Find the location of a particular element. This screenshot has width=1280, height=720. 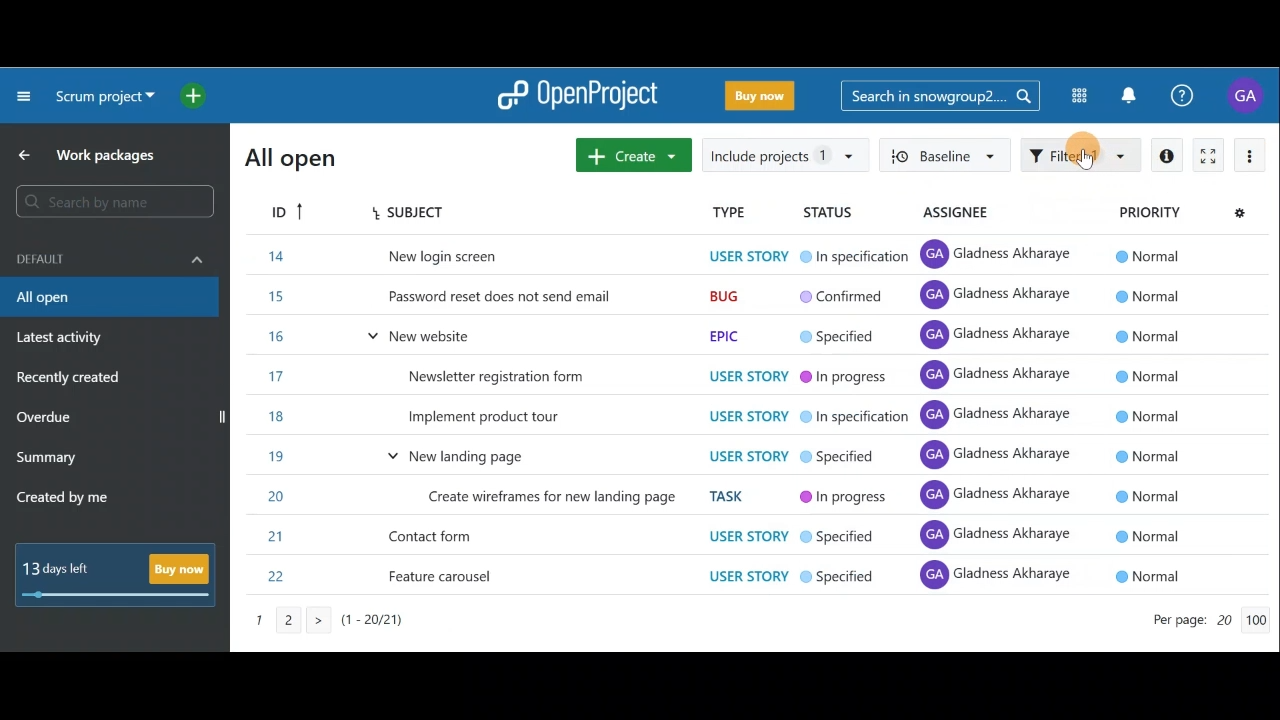

Baseline is located at coordinates (942, 154).